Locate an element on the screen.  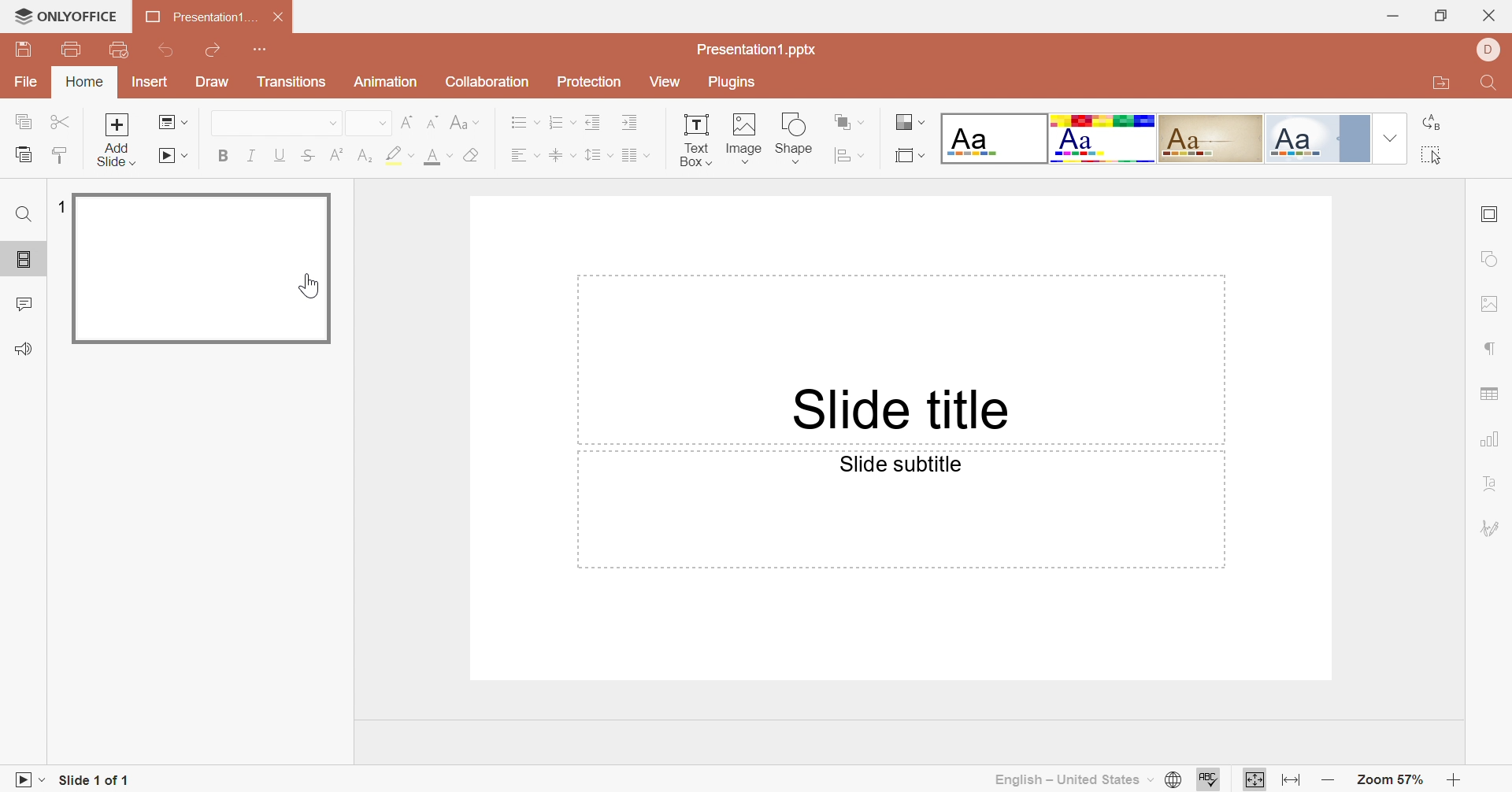
Subscript is located at coordinates (366, 155).